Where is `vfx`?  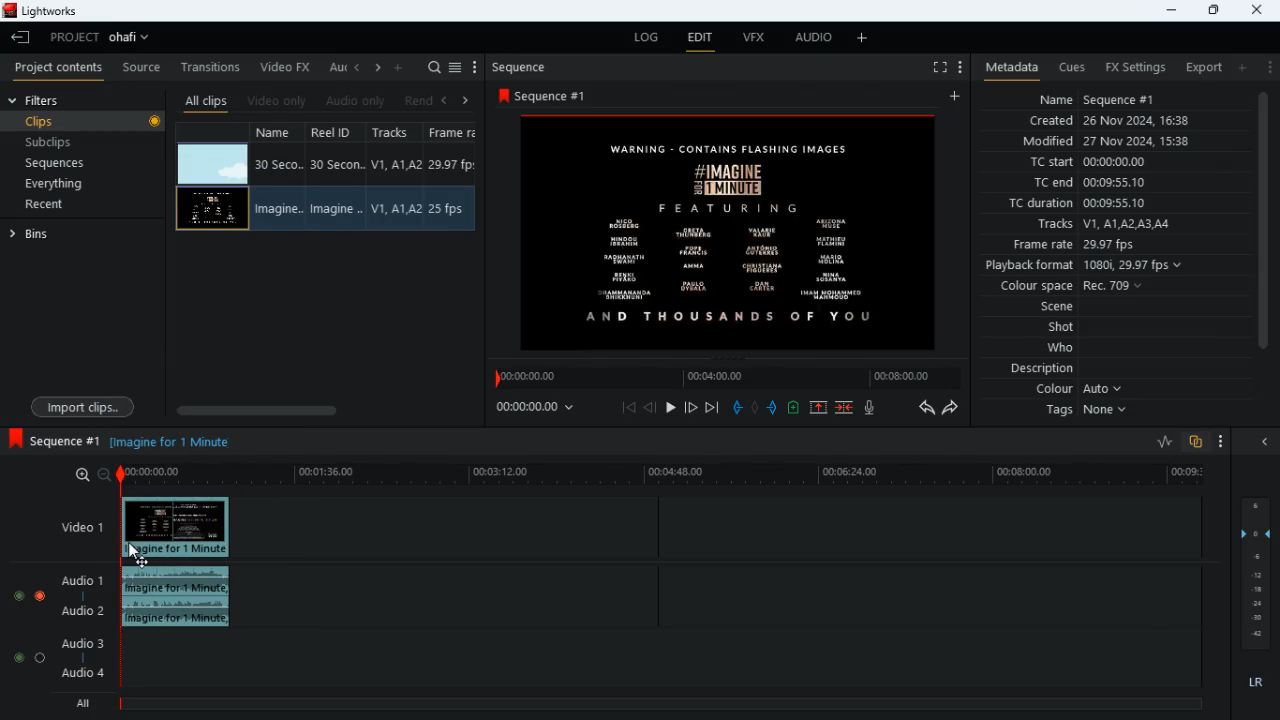 vfx is located at coordinates (750, 38).